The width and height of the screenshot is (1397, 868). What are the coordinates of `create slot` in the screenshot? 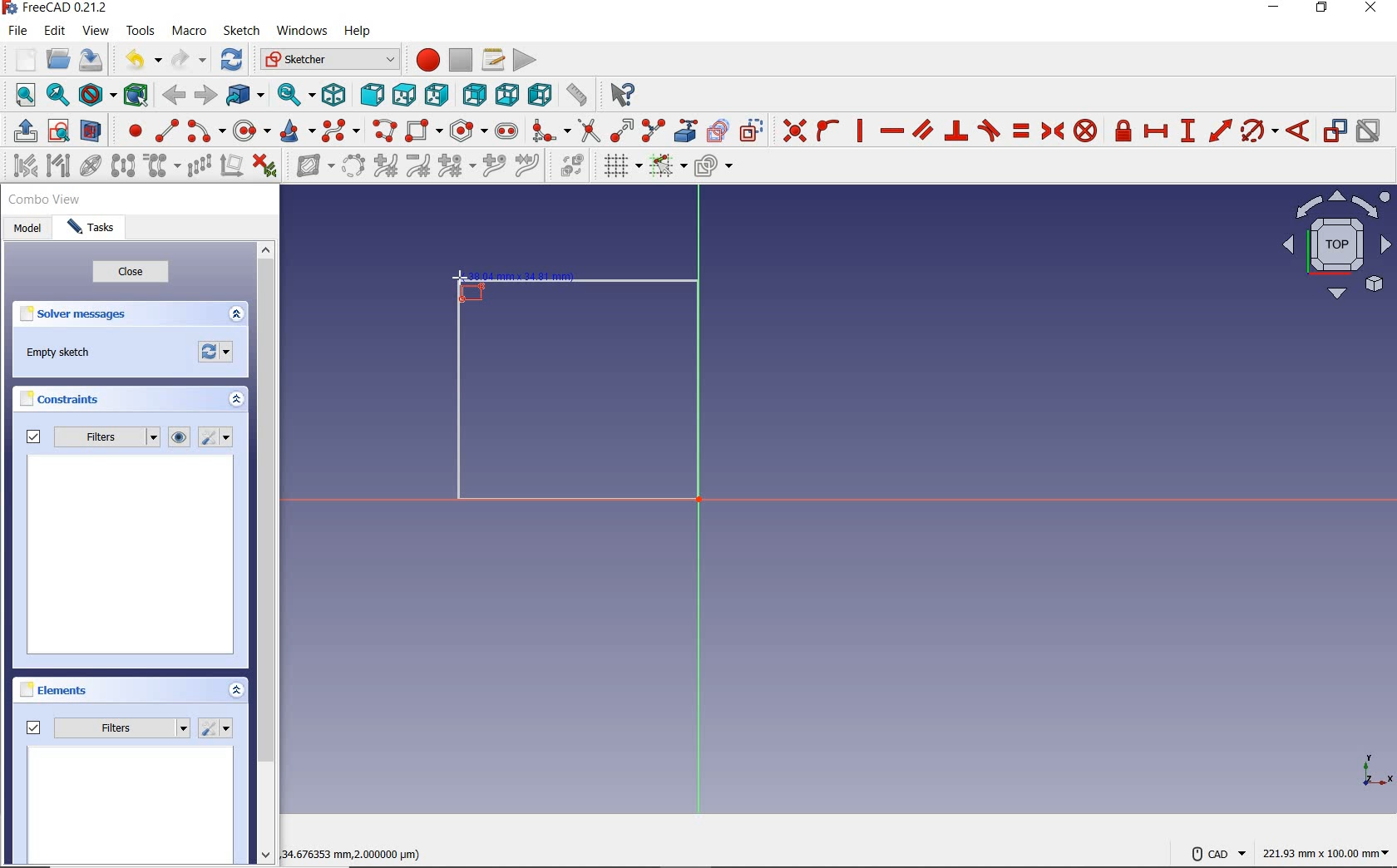 It's located at (507, 132).